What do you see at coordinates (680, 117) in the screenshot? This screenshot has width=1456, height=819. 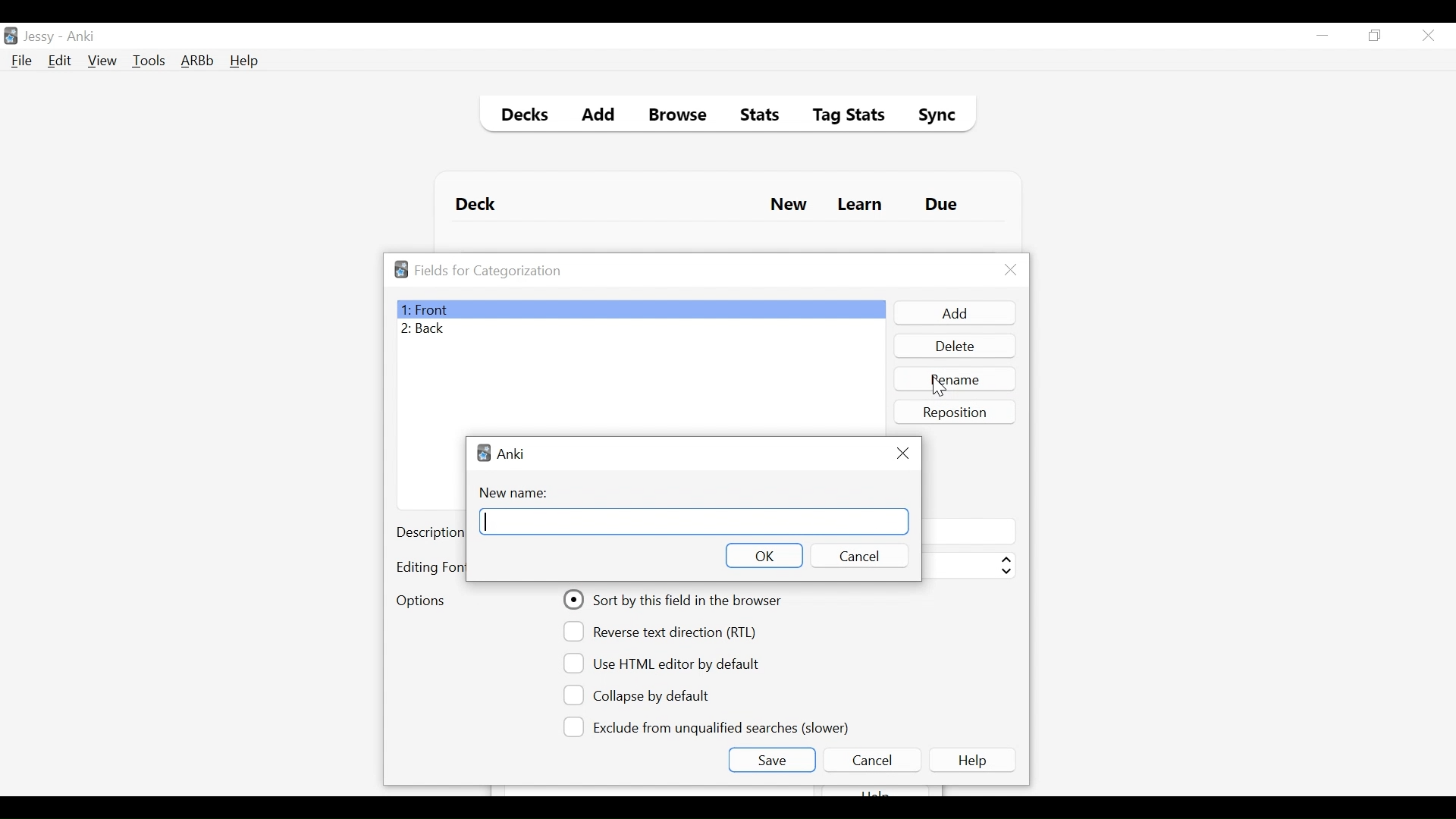 I see `Browse` at bounding box center [680, 117].